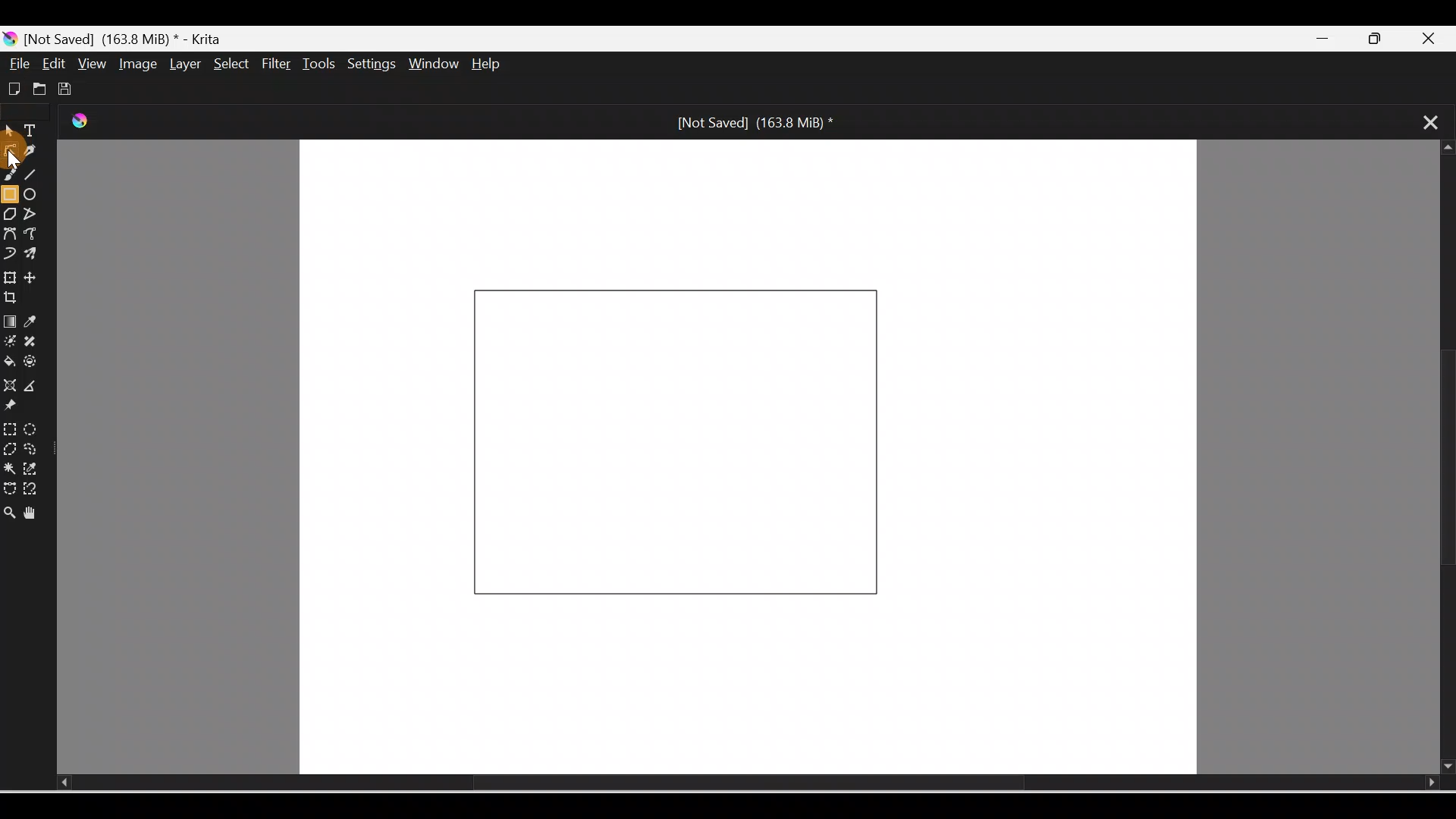  What do you see at coordinates (55, 64) in the screenshot?
I see `Edit` at bounding box center [55, 64].